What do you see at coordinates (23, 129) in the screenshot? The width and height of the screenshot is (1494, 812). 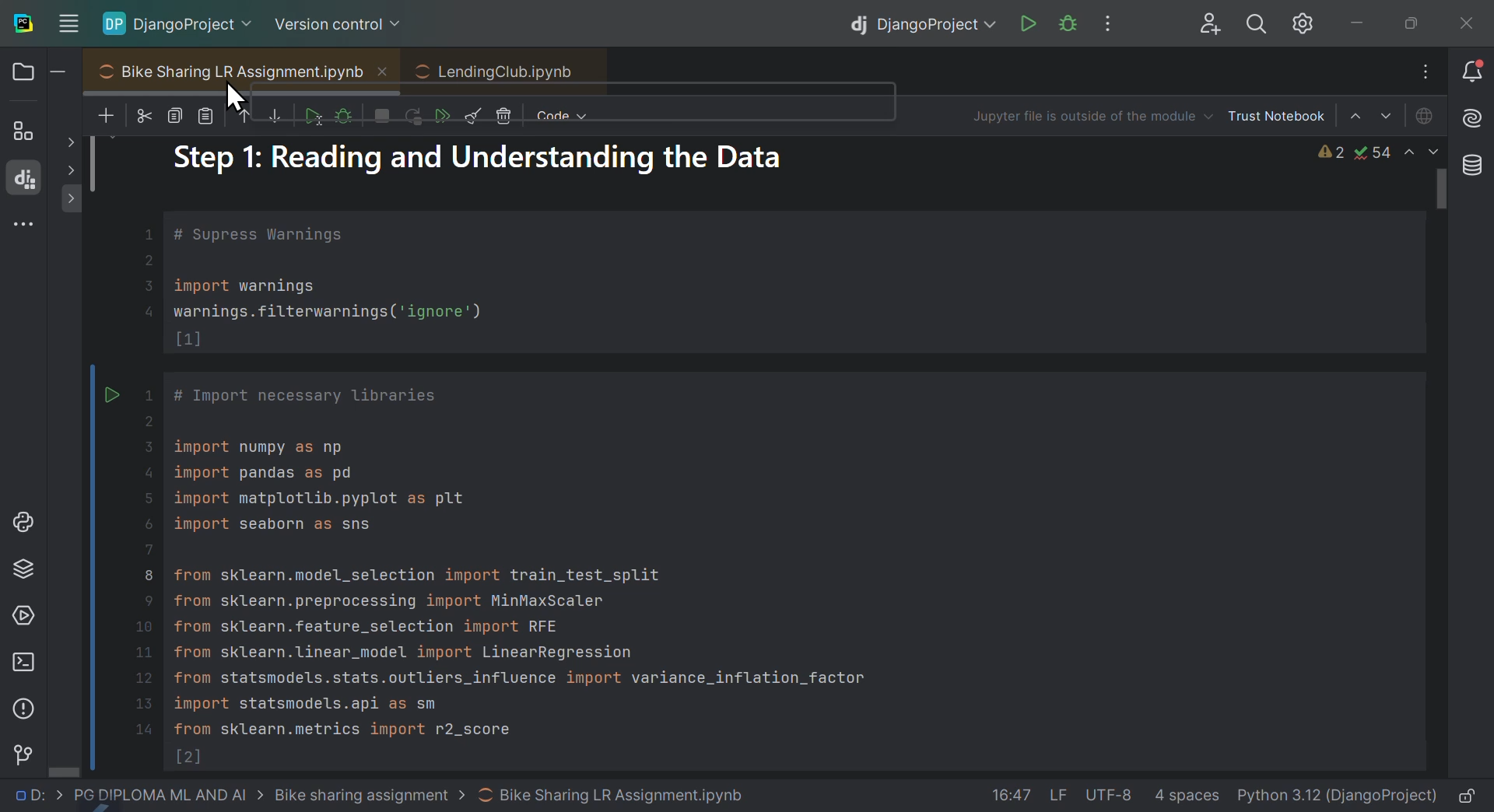 I see `structure` at bounding box center [23, 129].